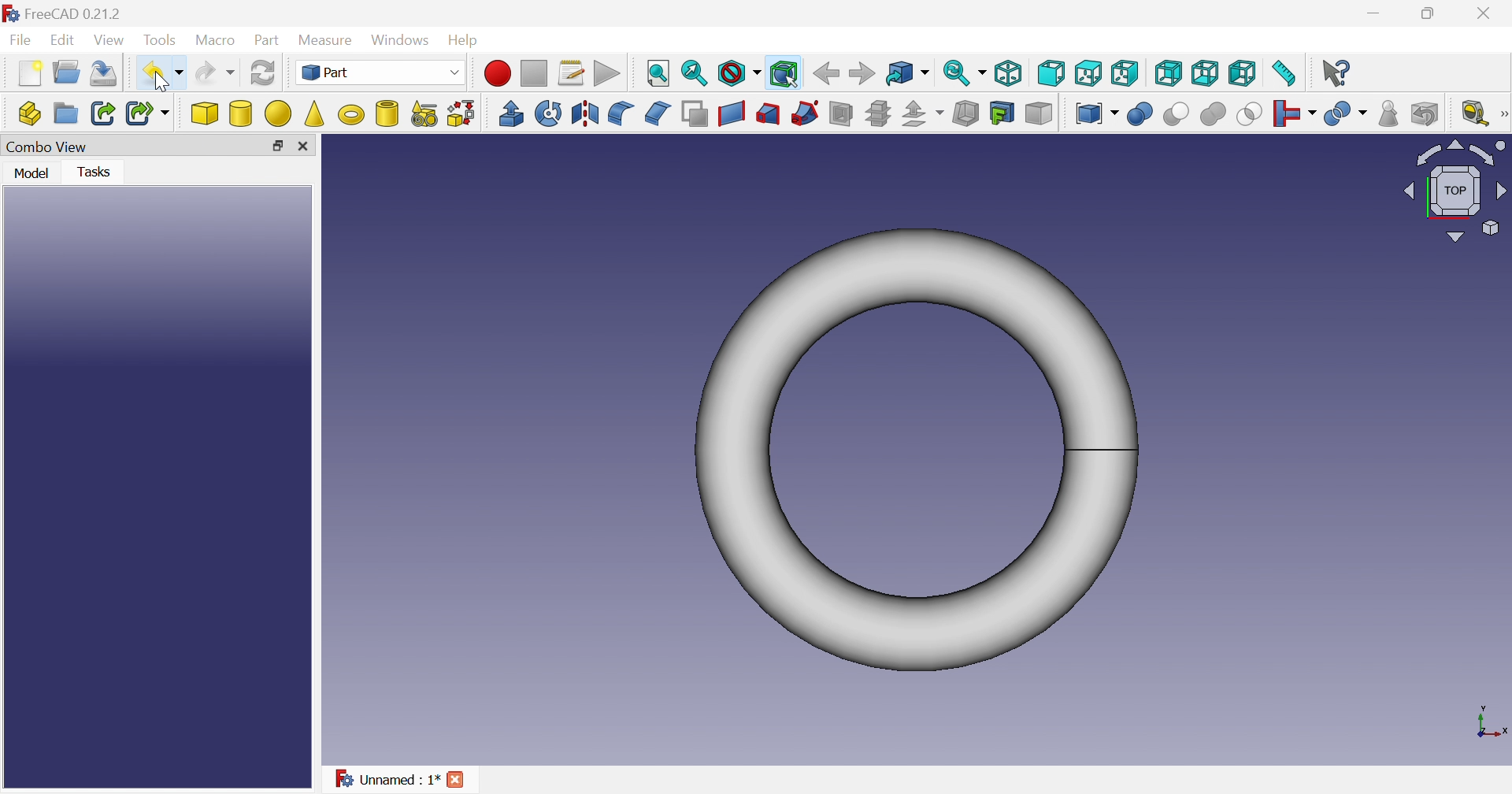 This screenshot has width=1512, height=794. I want to click on Part, so click(378, 72).